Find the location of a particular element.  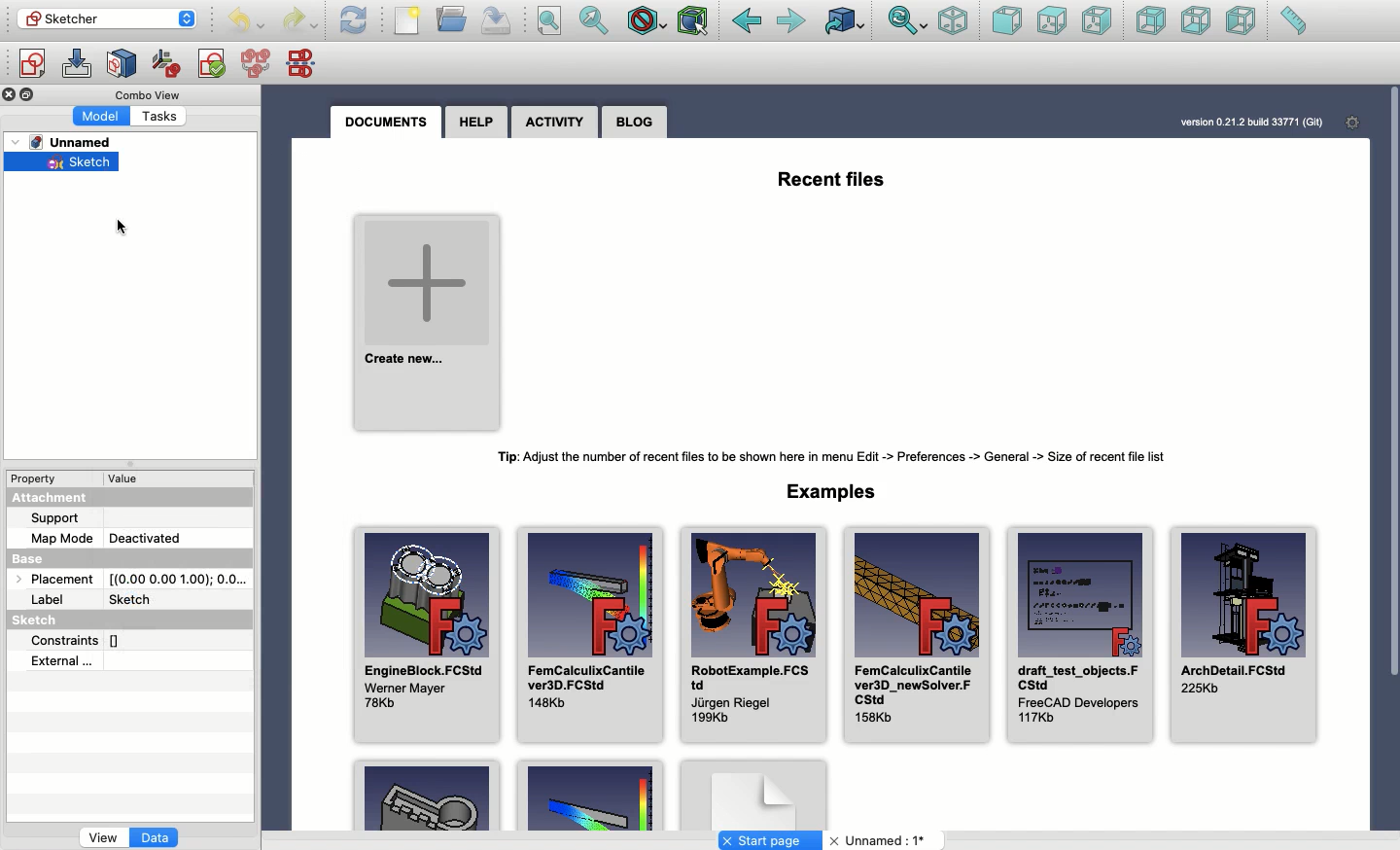

Top is located at coordinates (1052, 21).